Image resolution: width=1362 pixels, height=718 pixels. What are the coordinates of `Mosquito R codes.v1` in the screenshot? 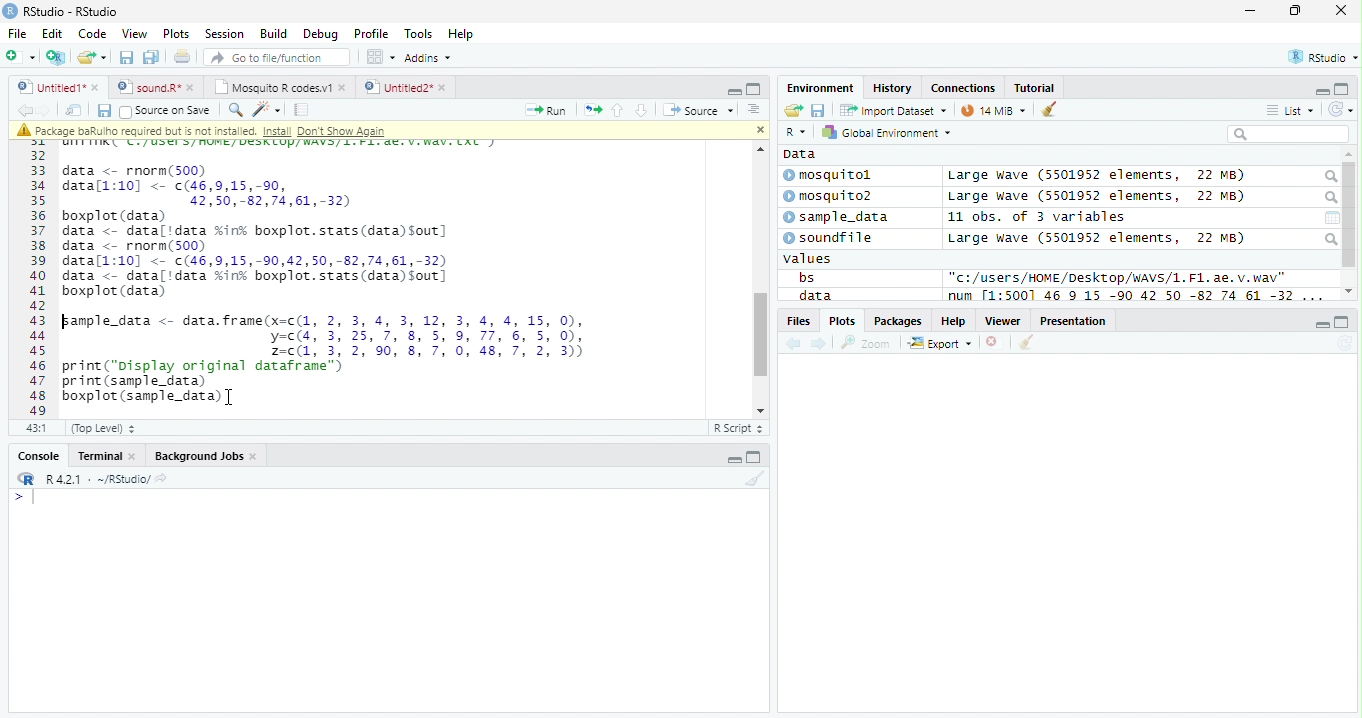 It's located at (277, 86).